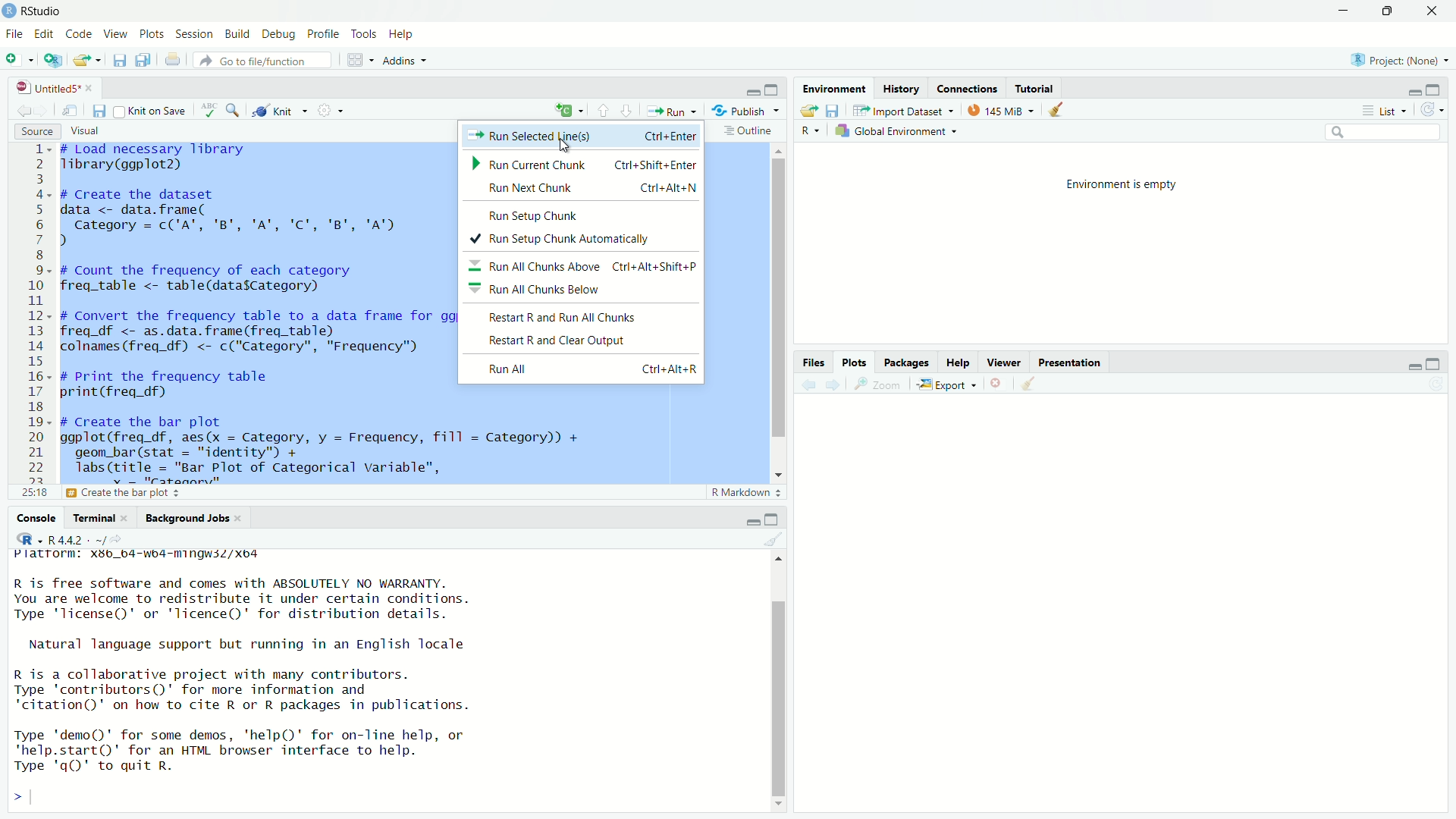 The width and height of the screenshot is (1456, 819). What do you see at coordinates (117, 33) in the screenshot?
I see `view` at bounding box center [117, 33].